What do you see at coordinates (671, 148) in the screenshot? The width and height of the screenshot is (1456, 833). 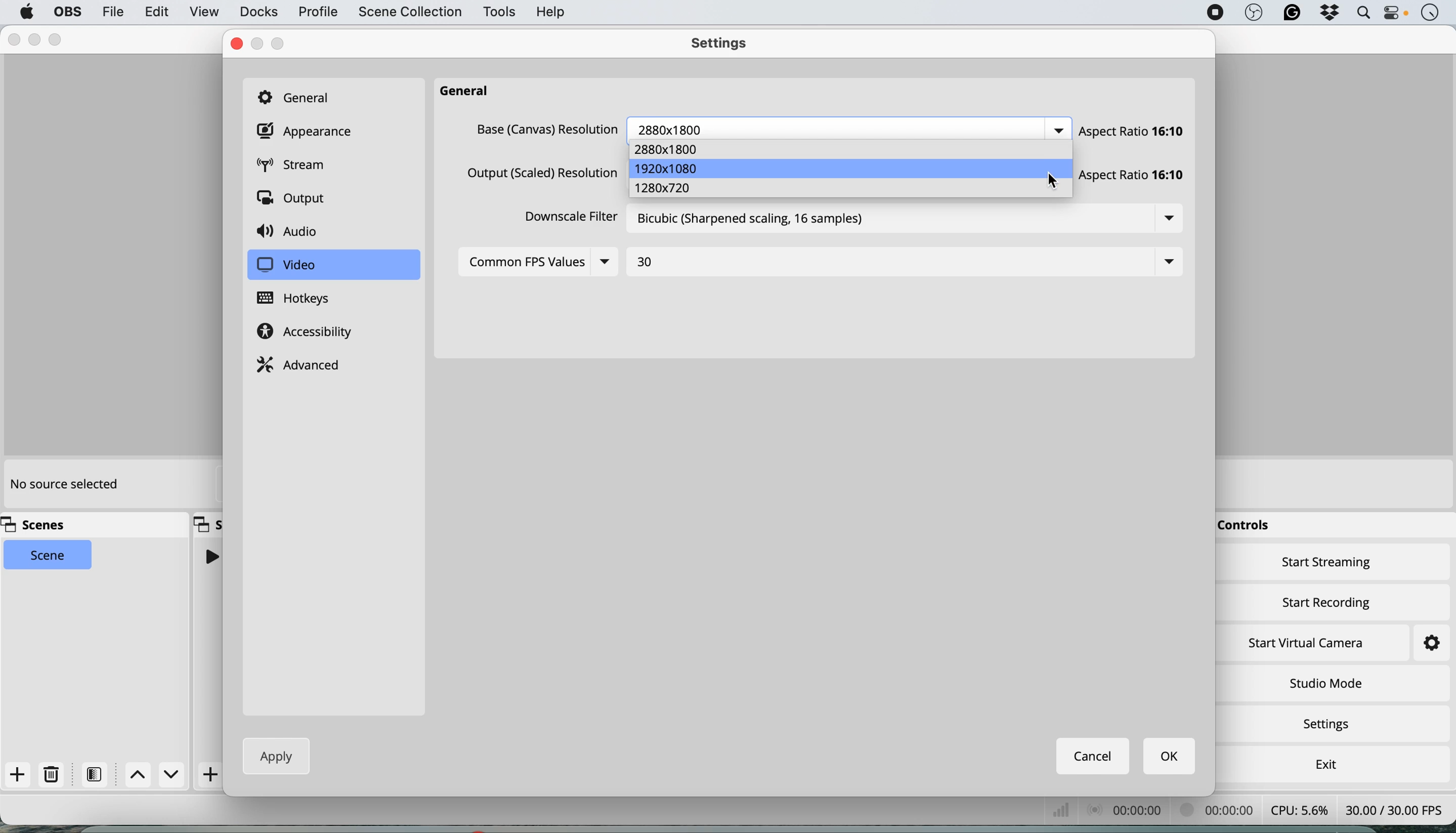 I see `2880 x 1800` at bounding box center [671, 148].